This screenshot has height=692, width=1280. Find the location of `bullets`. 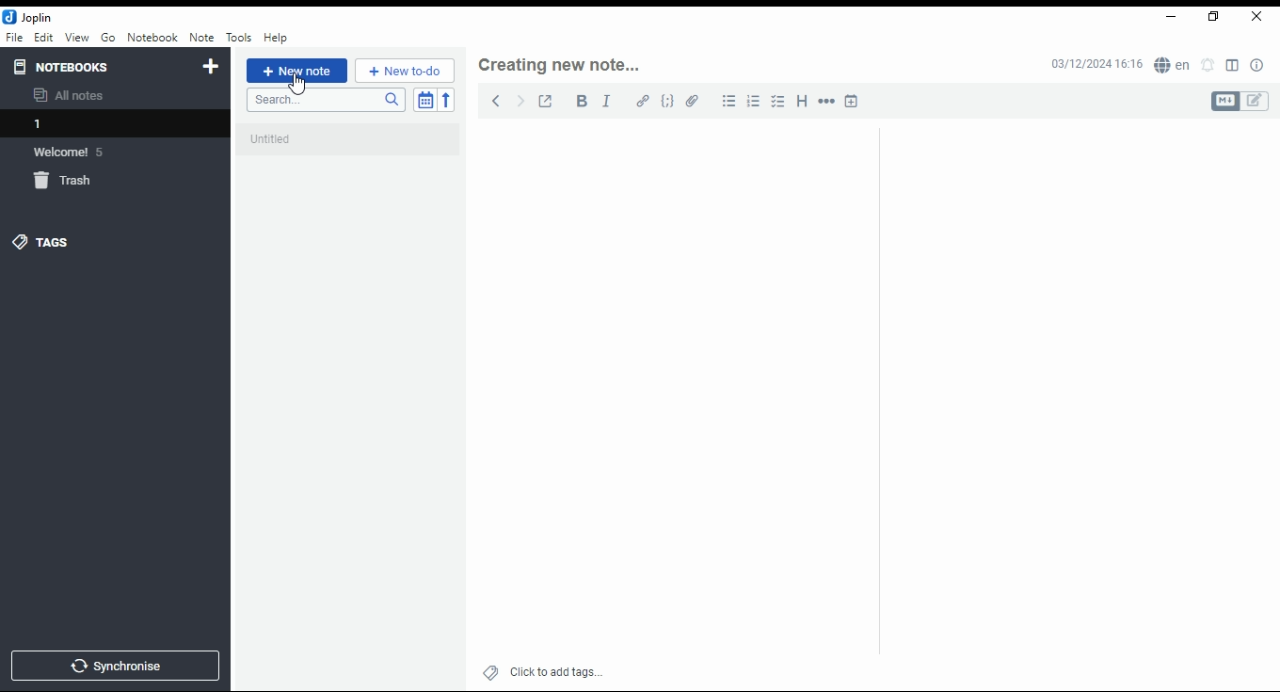

bullets is located at coordinates (726, 101).